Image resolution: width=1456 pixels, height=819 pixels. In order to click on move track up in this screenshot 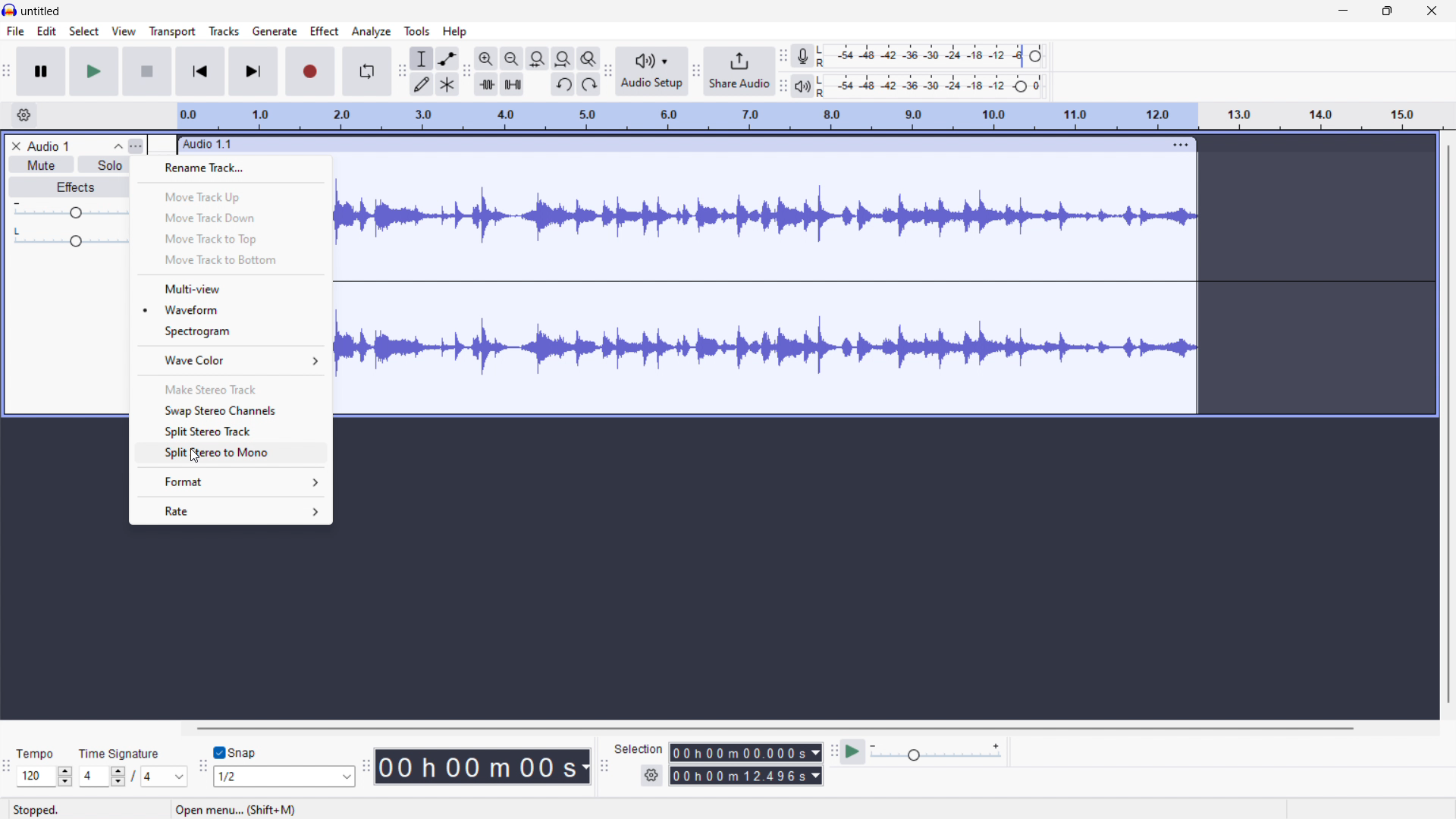, I will do `click(231, 195)`.